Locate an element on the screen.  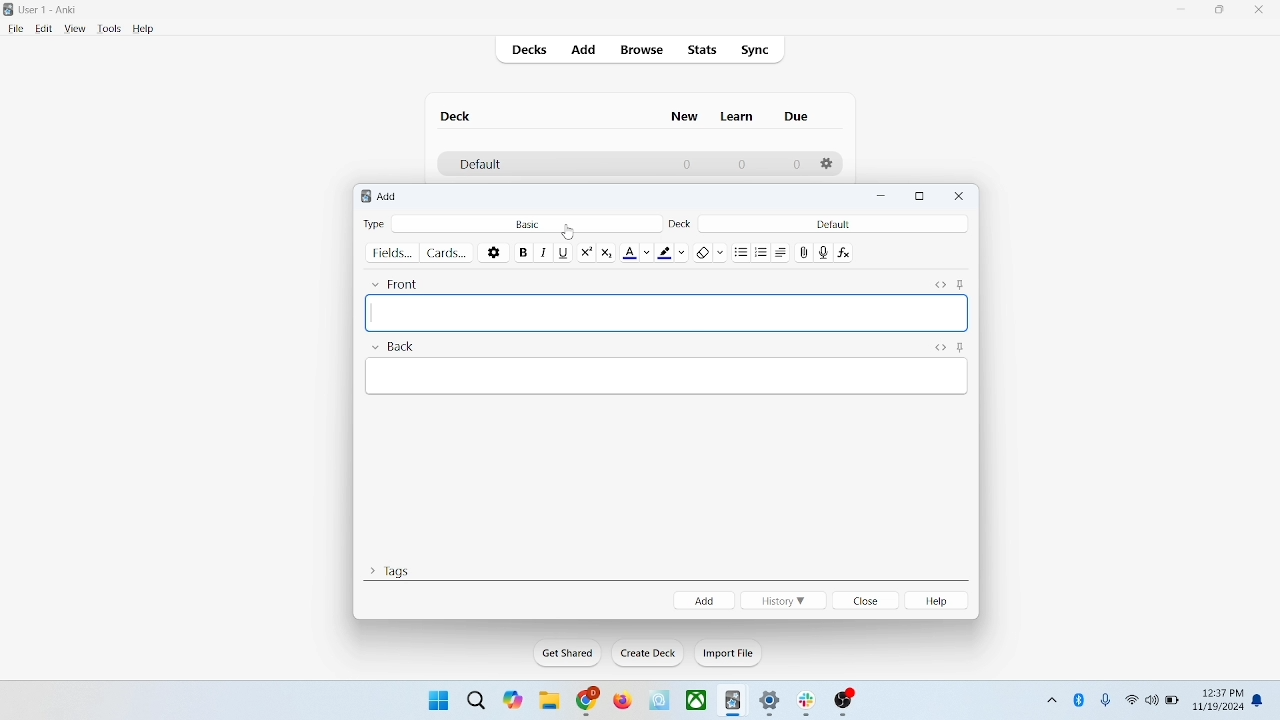
history is located at coordinates (783, 601).